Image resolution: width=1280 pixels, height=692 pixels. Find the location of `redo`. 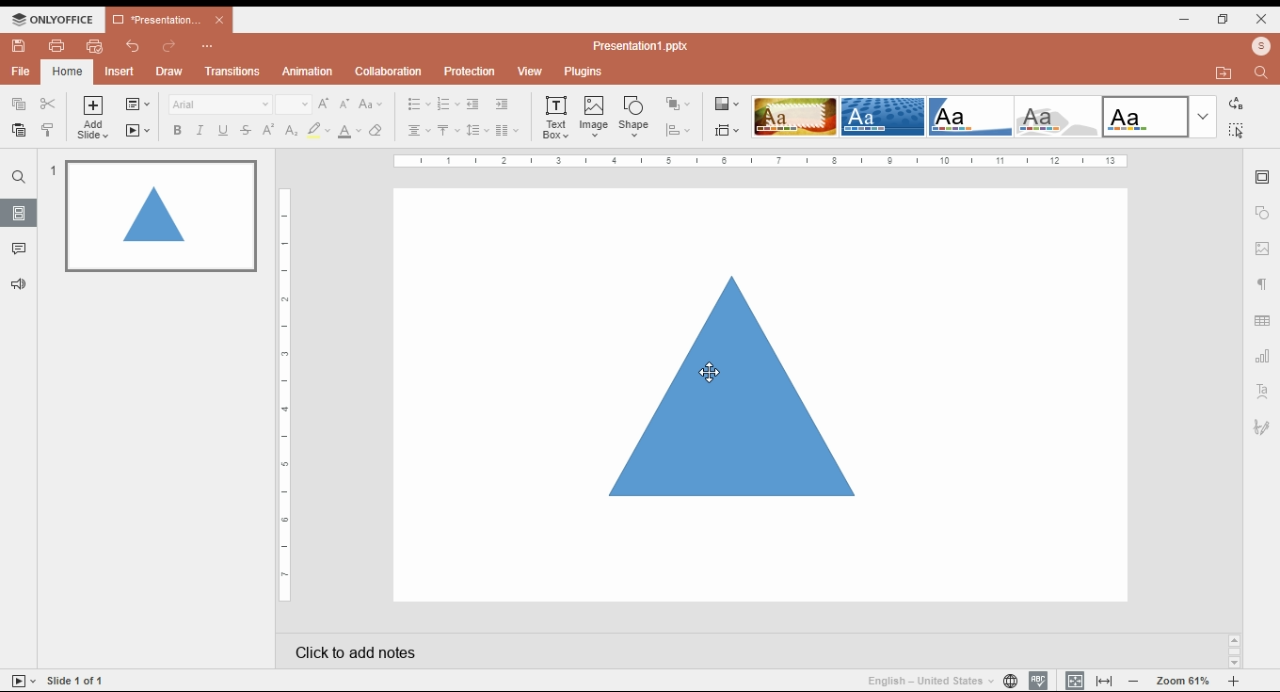

redo is located at coordinates (170, 46).